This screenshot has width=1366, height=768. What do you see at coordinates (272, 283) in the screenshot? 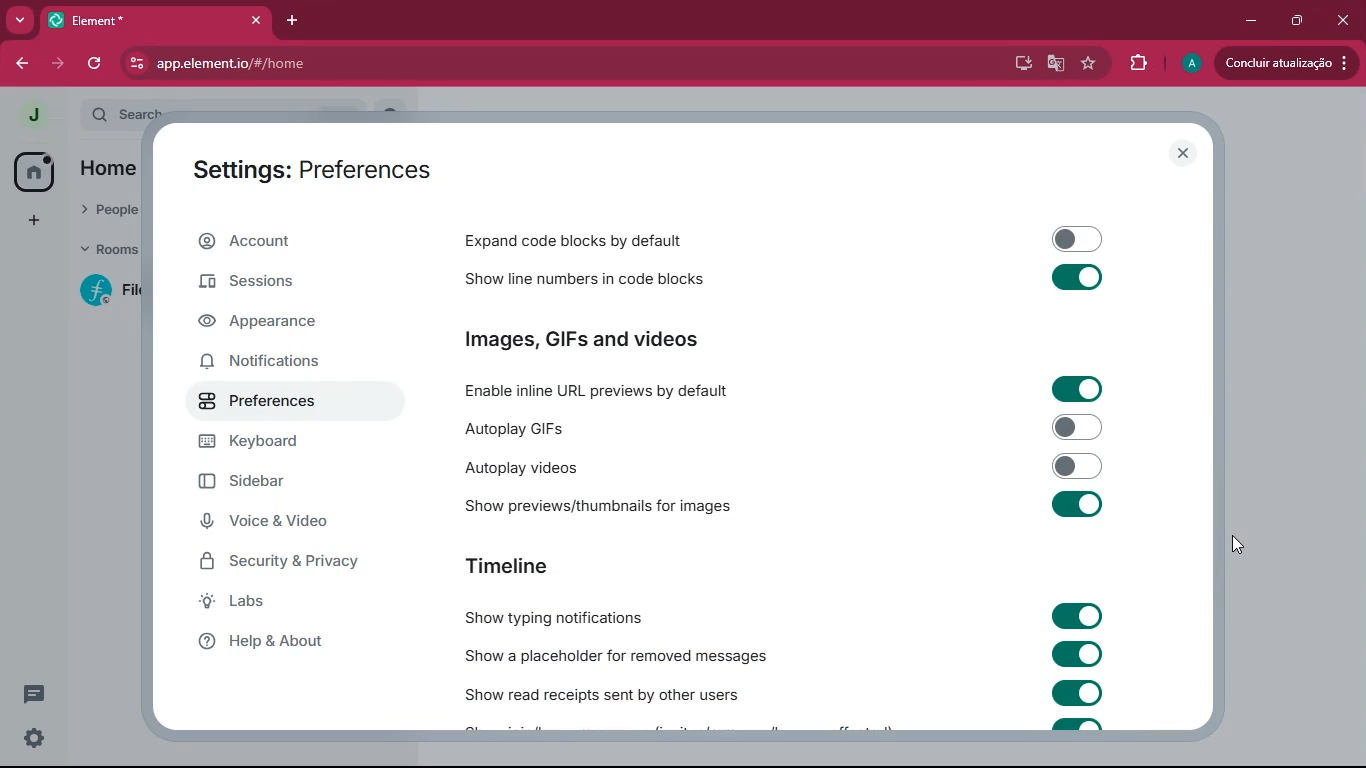
I see `sessions` at bounding box center [272, 283].